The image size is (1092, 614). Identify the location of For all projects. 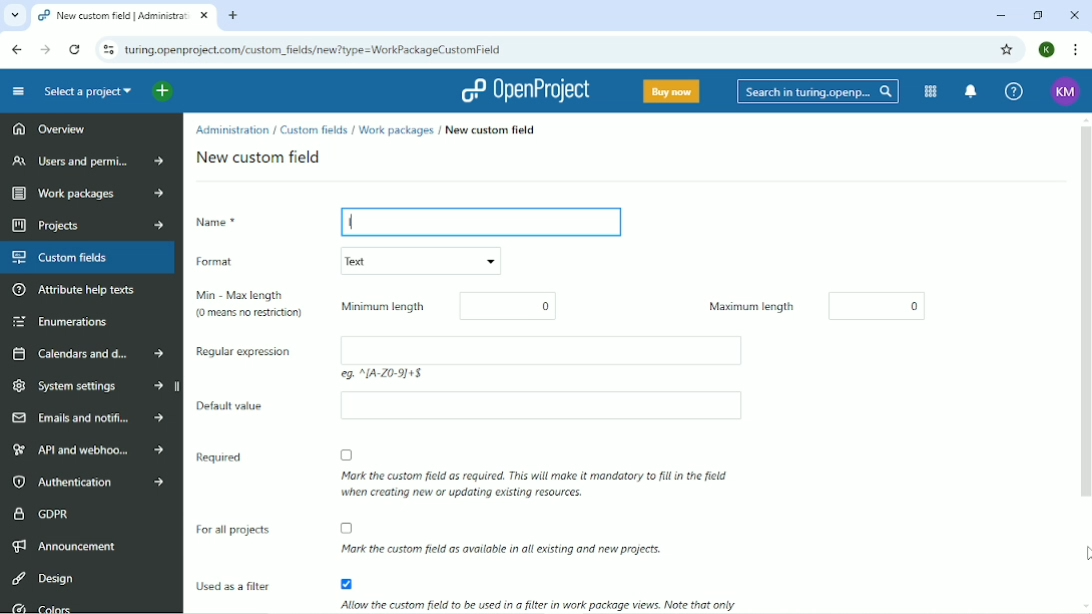
(238, 540).